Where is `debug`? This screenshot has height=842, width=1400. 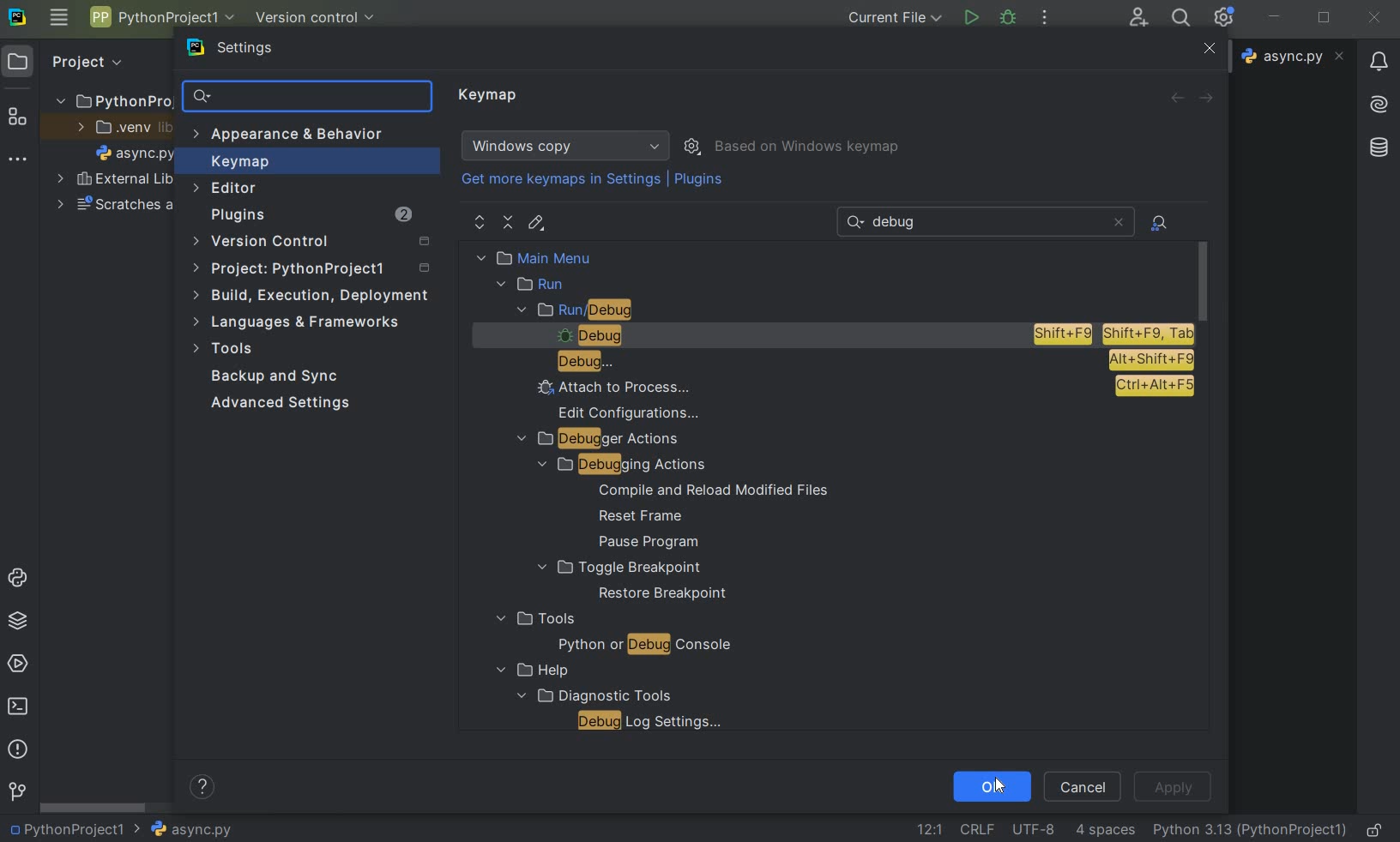 debug is located at coordinates (865, 362).